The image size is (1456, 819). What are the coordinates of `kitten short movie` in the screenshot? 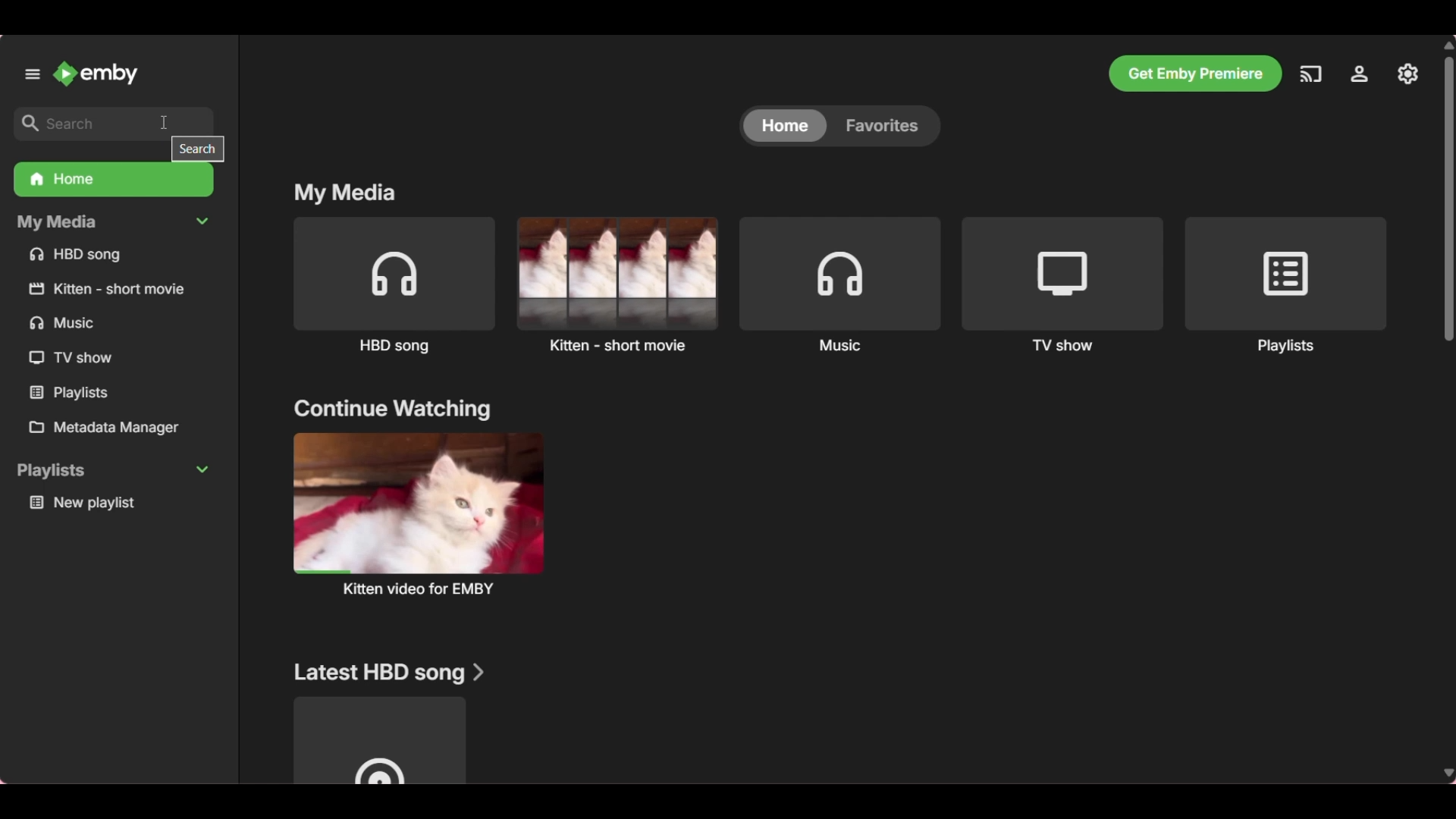 It's located at (111, 288).